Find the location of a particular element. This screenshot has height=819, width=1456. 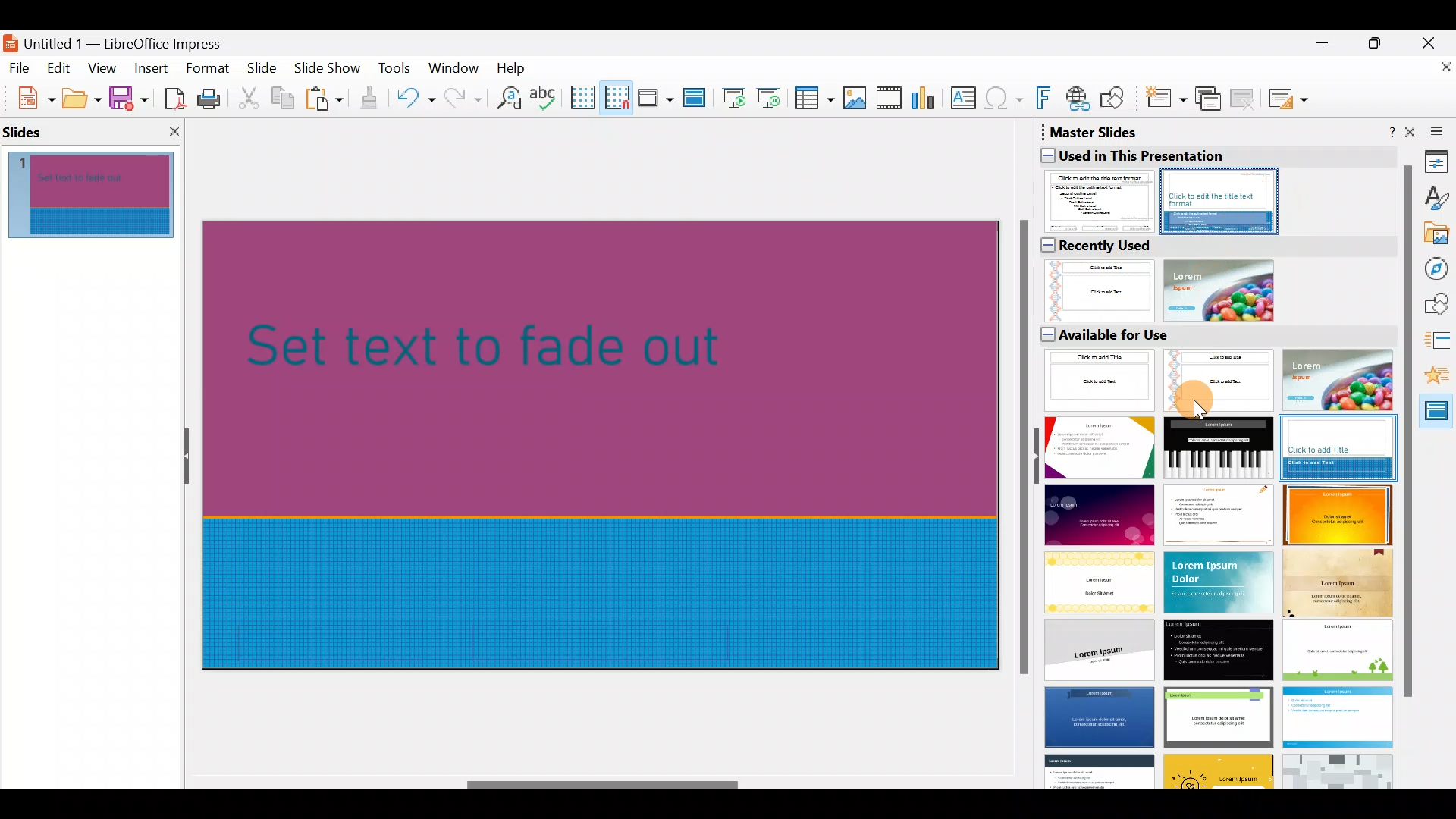

Sidebar settings is located at coordinates (1434, 130).